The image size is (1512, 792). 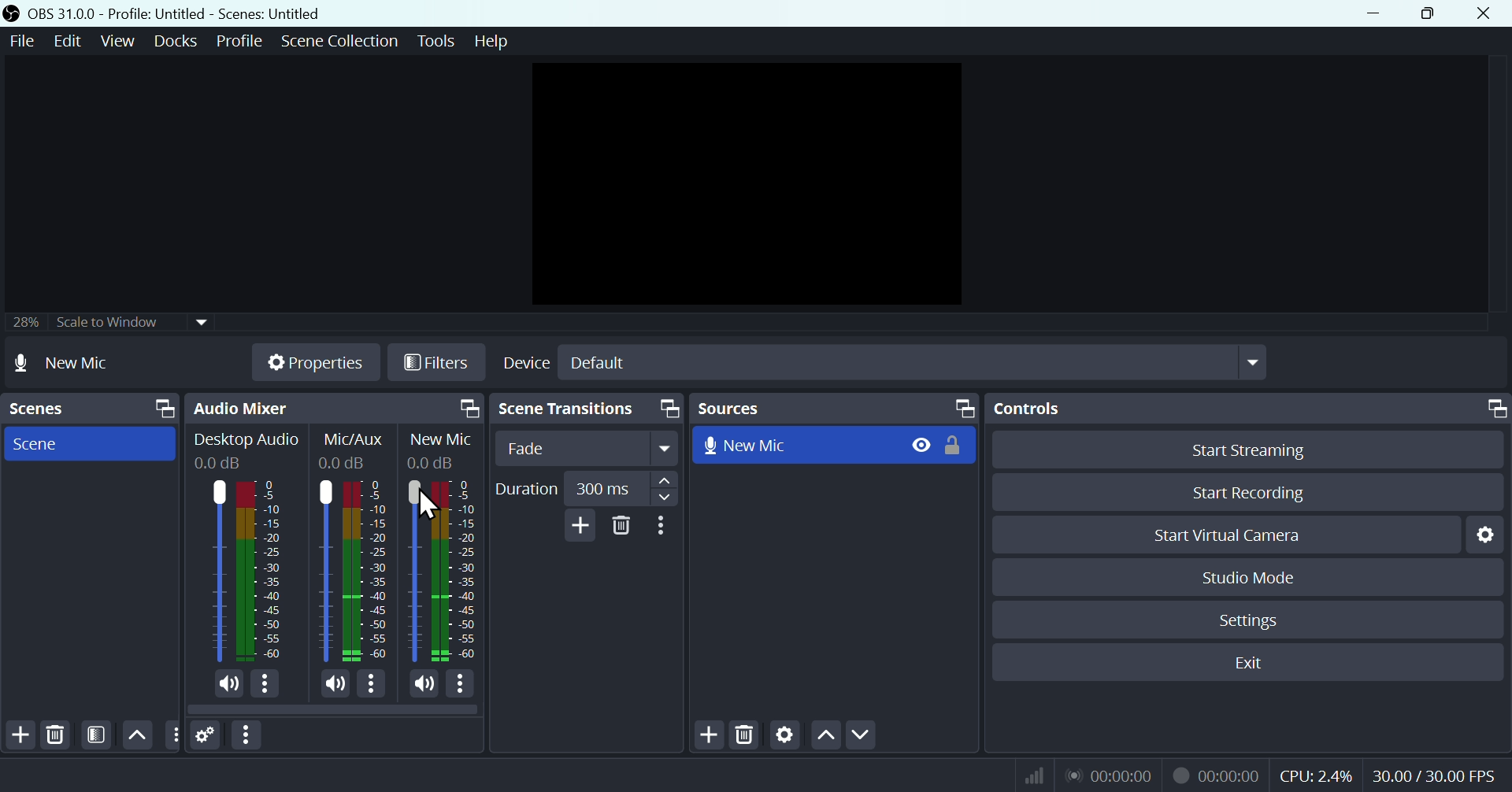 What do you see at coordinates (257, 571) in the screenshot?
I see `Desktop Audio bar` at bounding box center [257, 571].